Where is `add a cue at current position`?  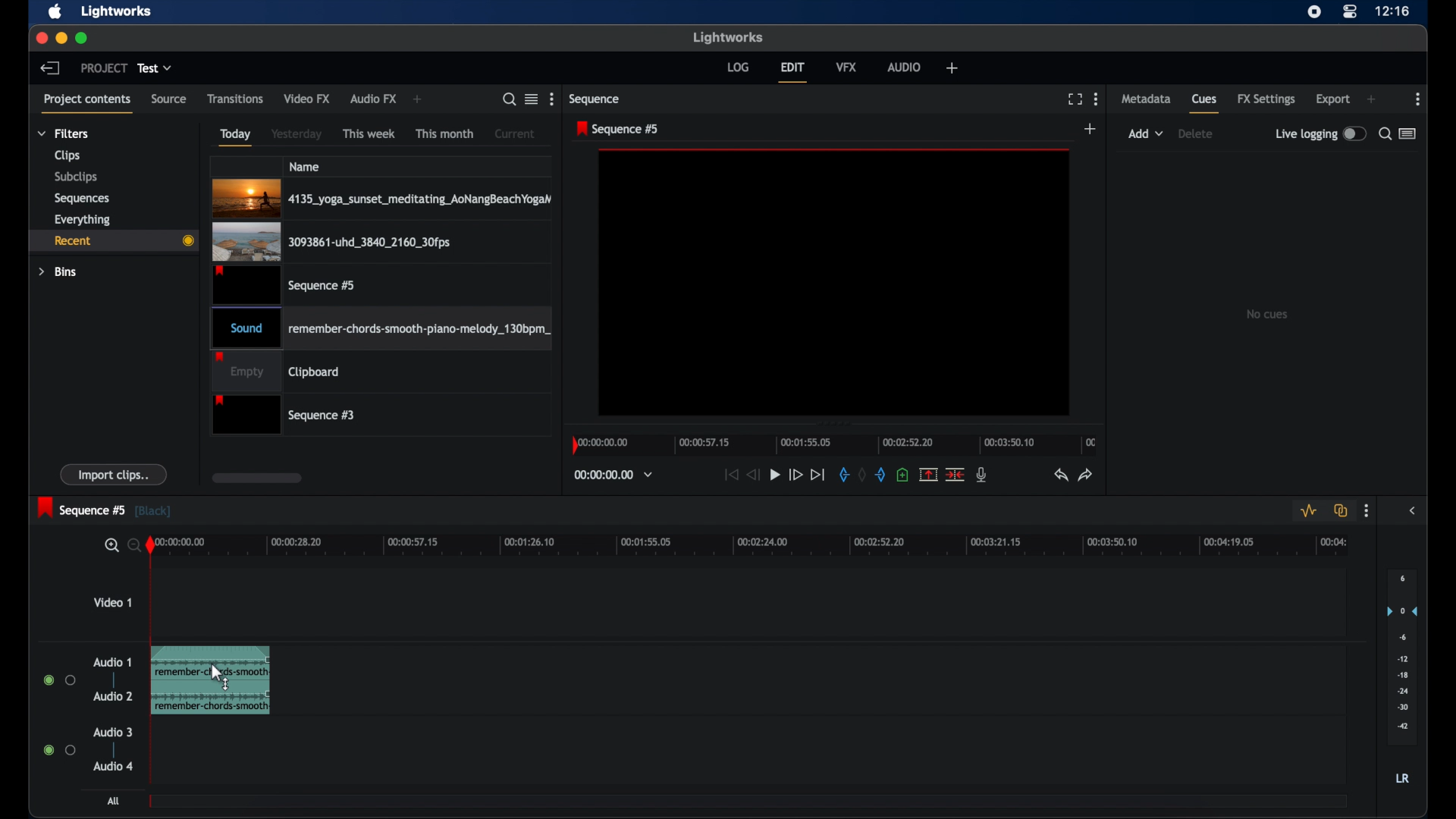 add a cue at current position is located at coordinates (902, 475).